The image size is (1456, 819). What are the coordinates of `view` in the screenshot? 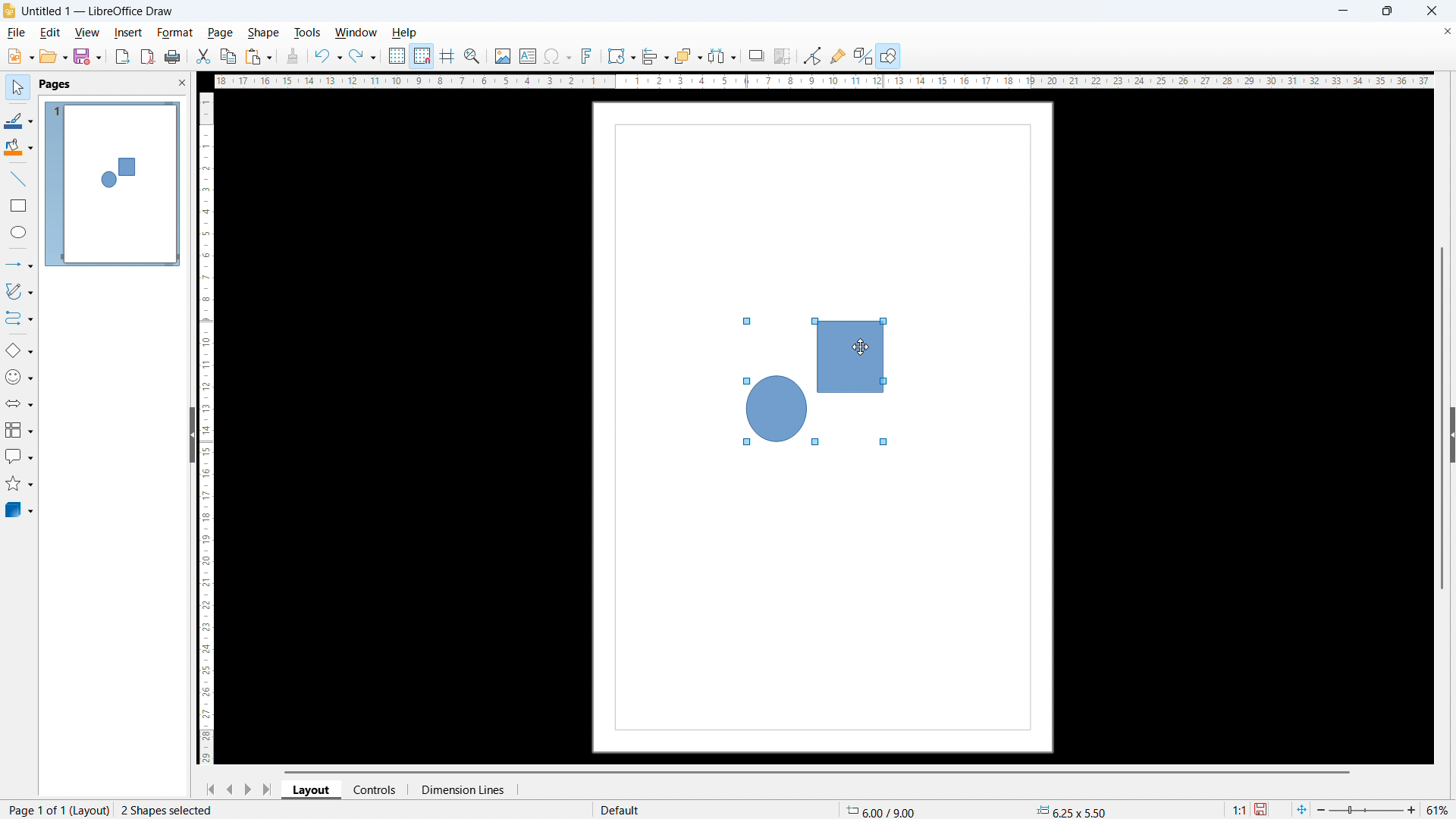 It's located at (87, 33).